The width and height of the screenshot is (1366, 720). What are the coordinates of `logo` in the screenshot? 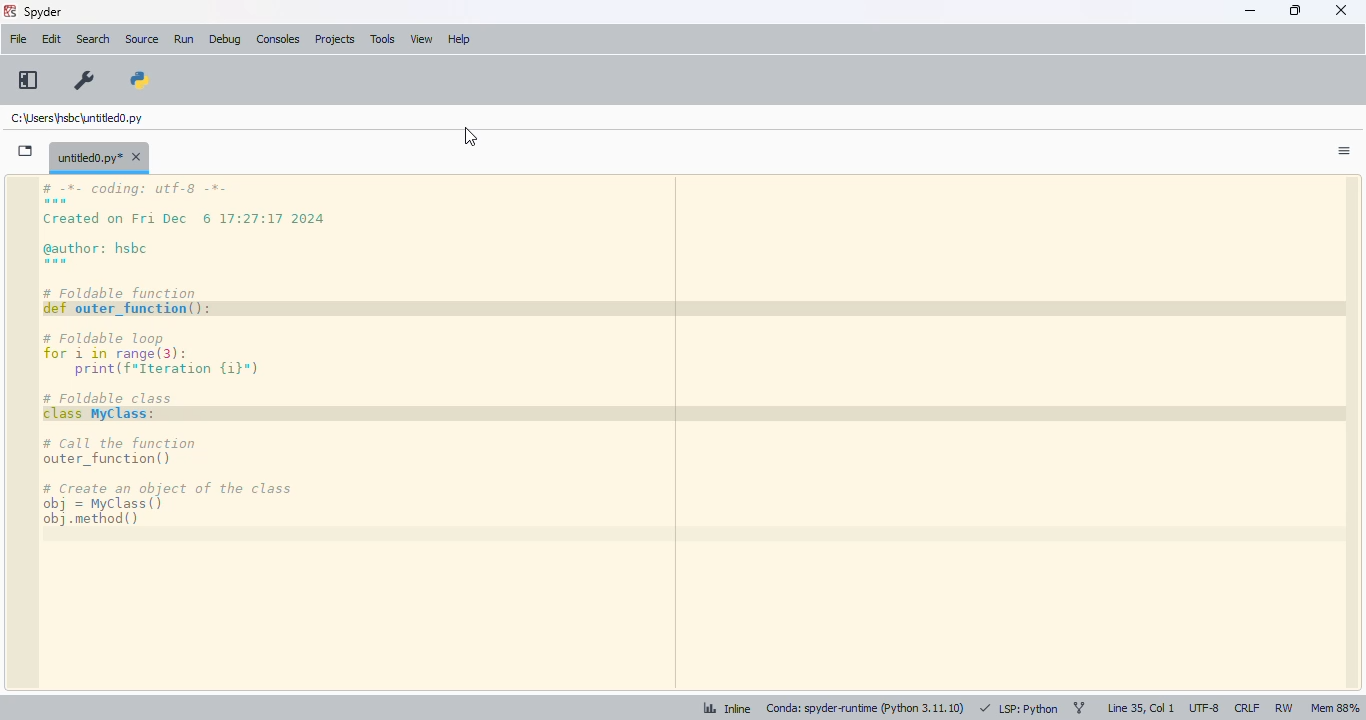 It's located at (10, 11).